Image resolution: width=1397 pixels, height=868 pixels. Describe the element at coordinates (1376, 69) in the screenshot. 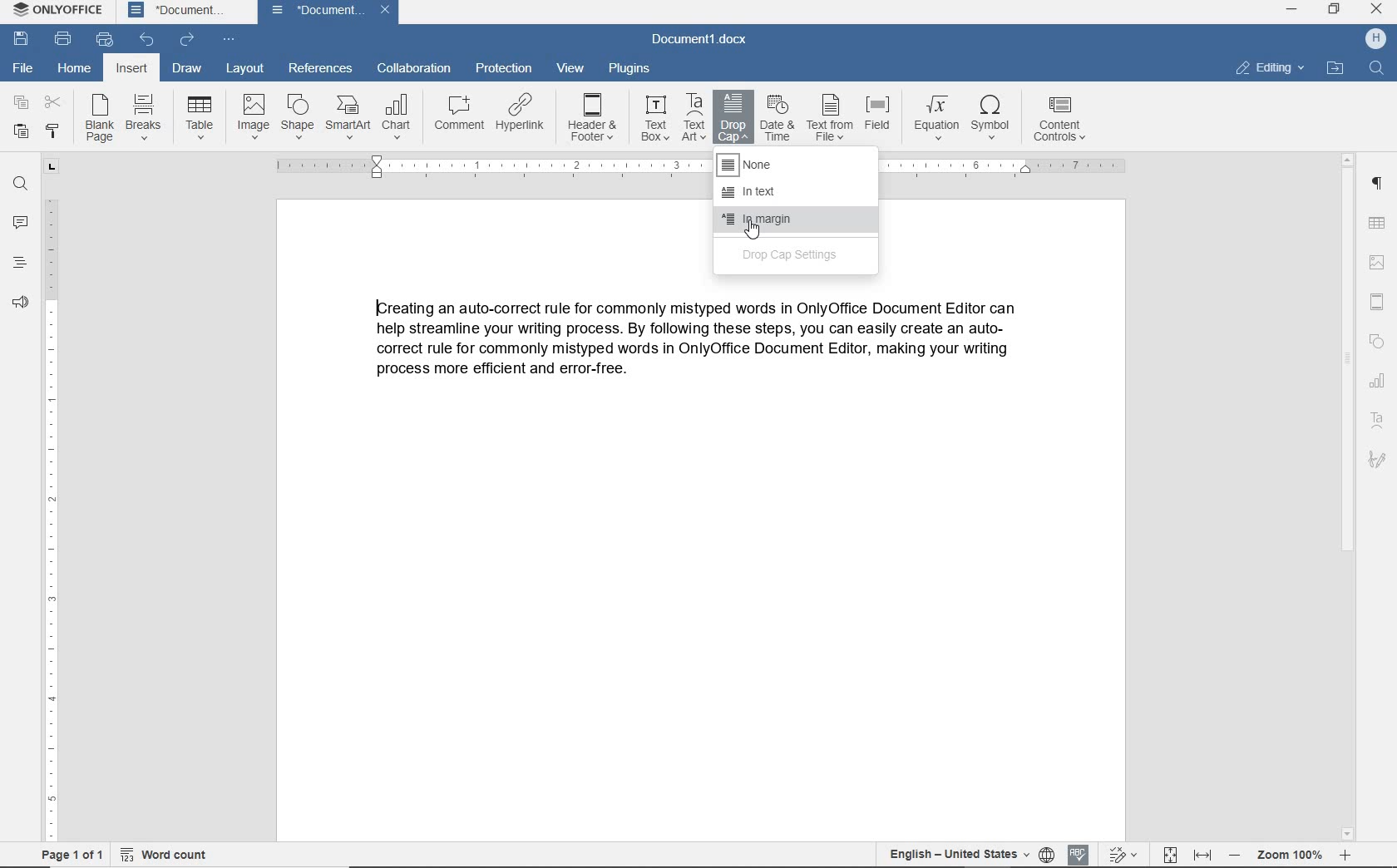

I see `find` at that location.